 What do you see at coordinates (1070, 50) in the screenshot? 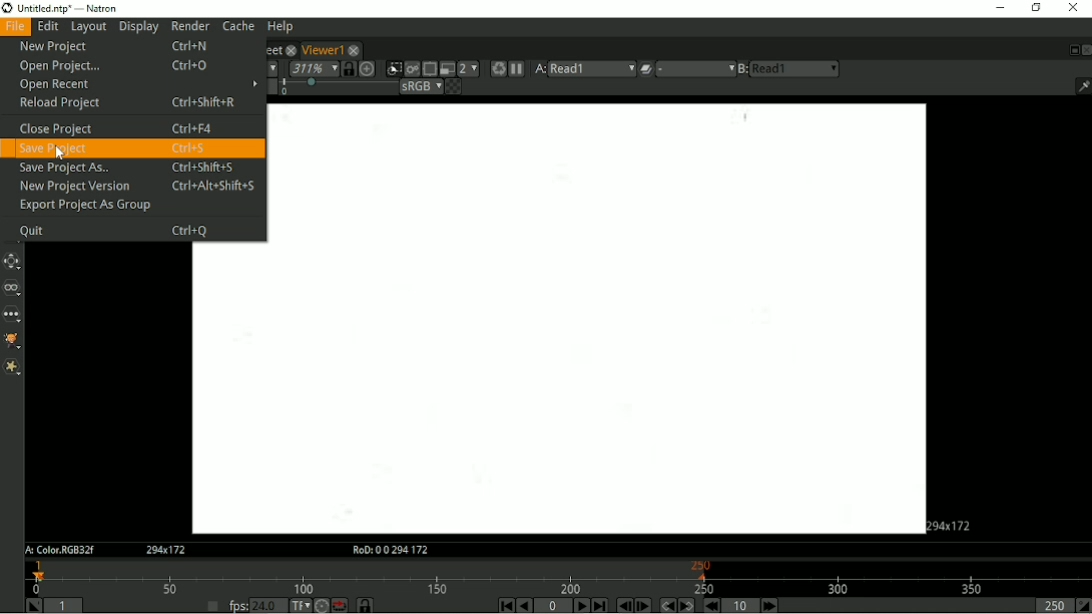
I see `Float pane` at bounding box center [1070, 50].